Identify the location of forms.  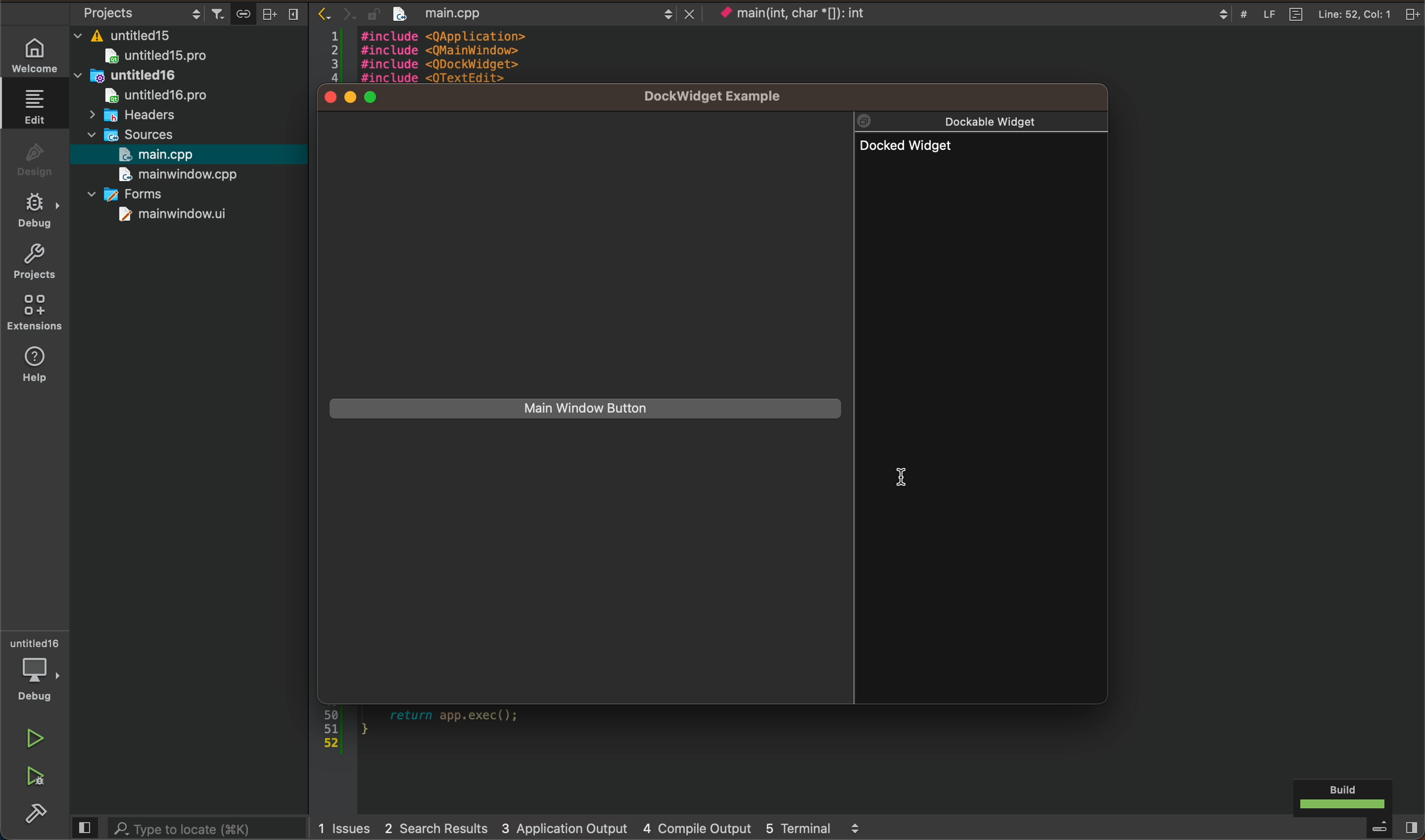
(136, 194).